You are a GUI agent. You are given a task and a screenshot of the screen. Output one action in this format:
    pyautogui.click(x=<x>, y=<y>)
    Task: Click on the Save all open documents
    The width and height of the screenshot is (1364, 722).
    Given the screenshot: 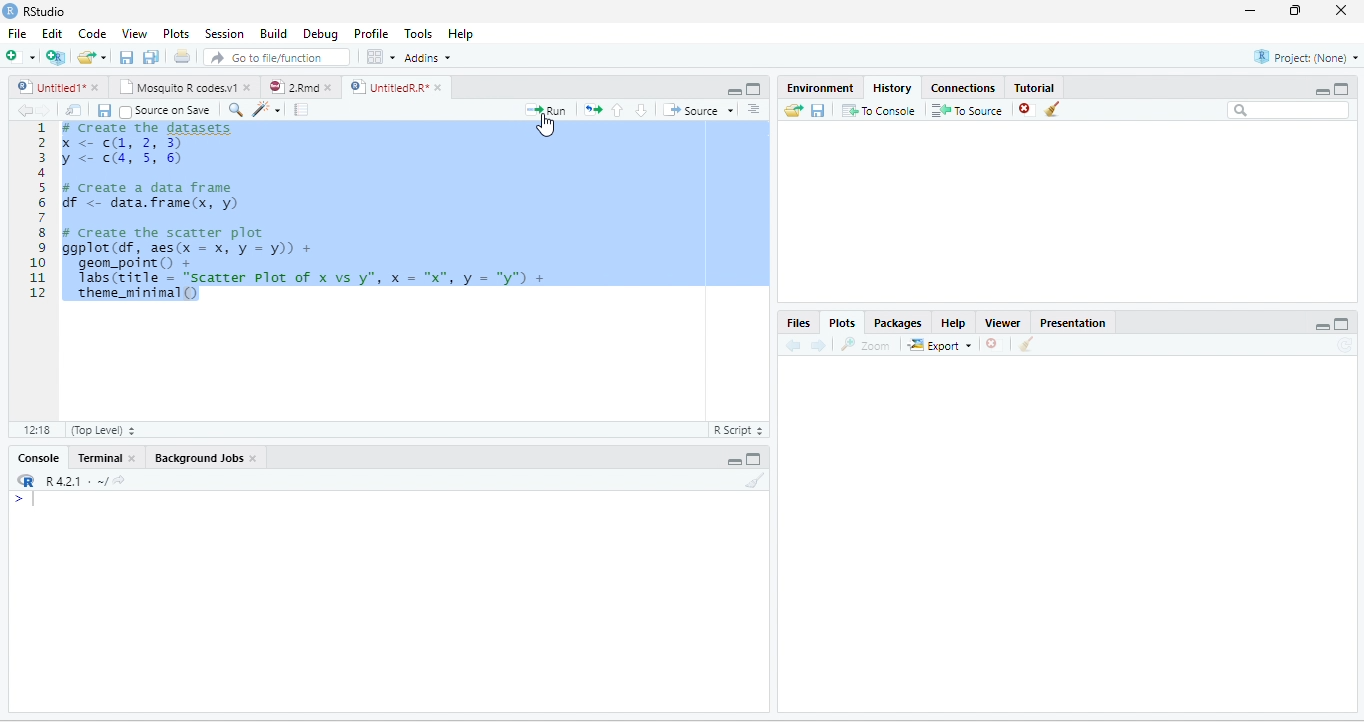 What is the action you would take?
    pyautogui.click(x=151, y=56)
    